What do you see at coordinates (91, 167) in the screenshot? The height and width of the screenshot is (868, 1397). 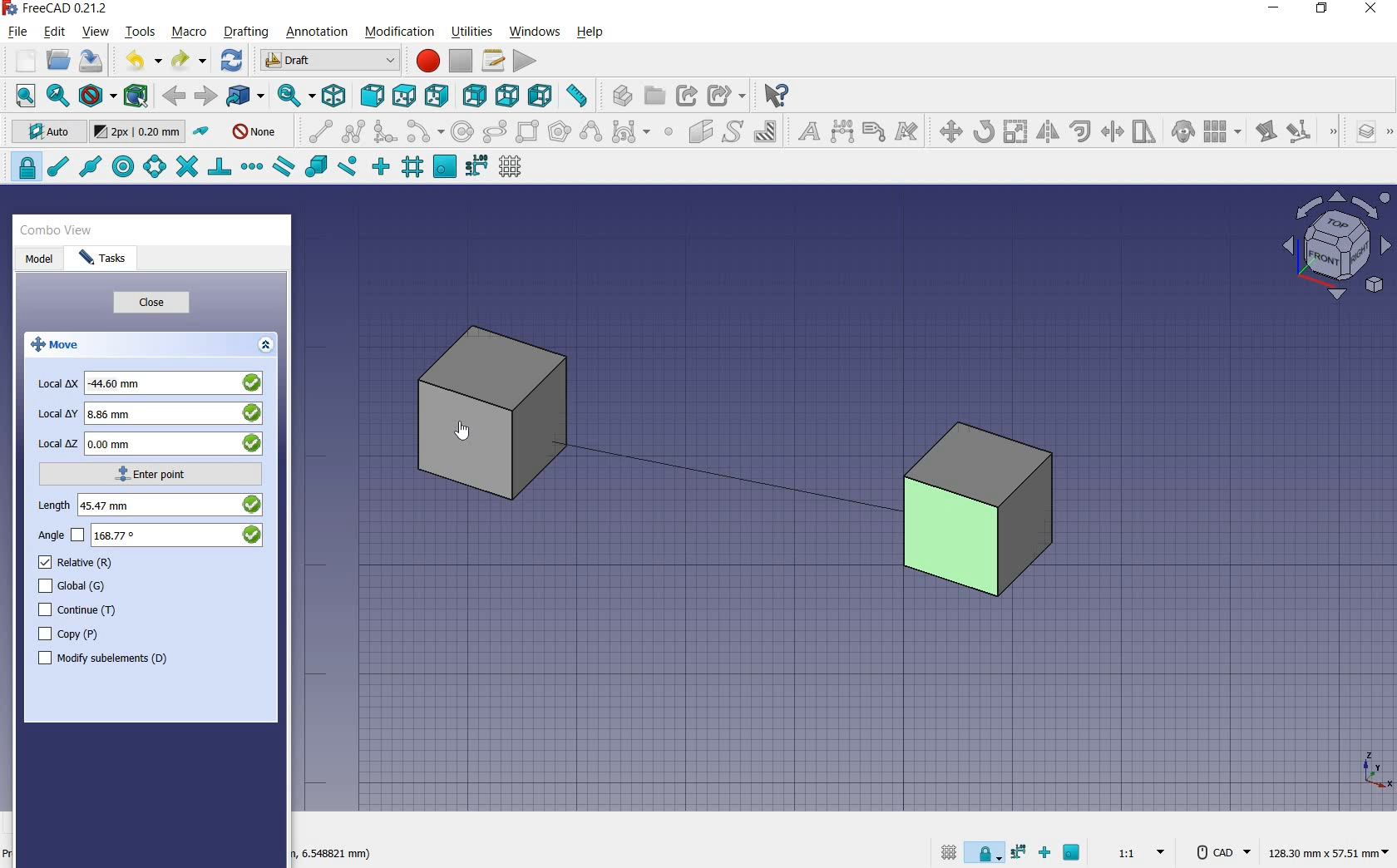 I see `snap midpoint` at bounding box center [91, 167].